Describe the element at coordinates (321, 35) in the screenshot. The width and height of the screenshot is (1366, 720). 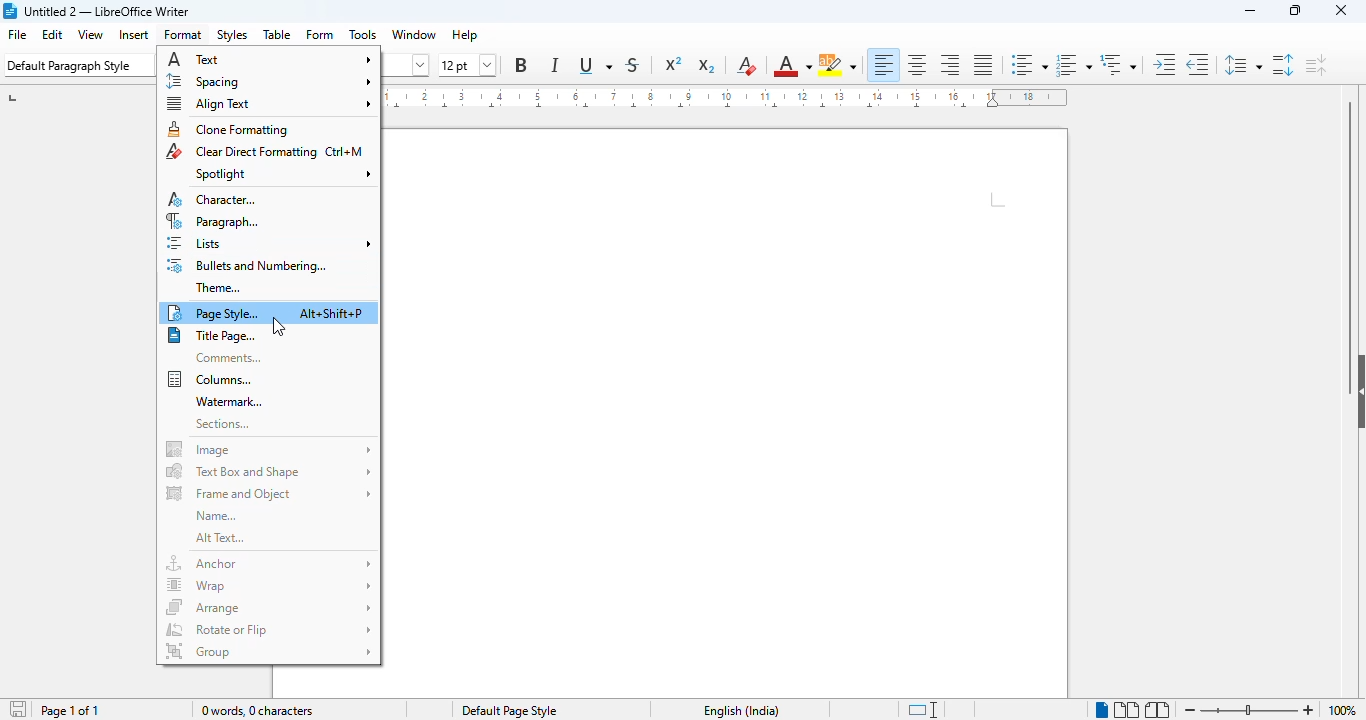
I see `form` at that location.